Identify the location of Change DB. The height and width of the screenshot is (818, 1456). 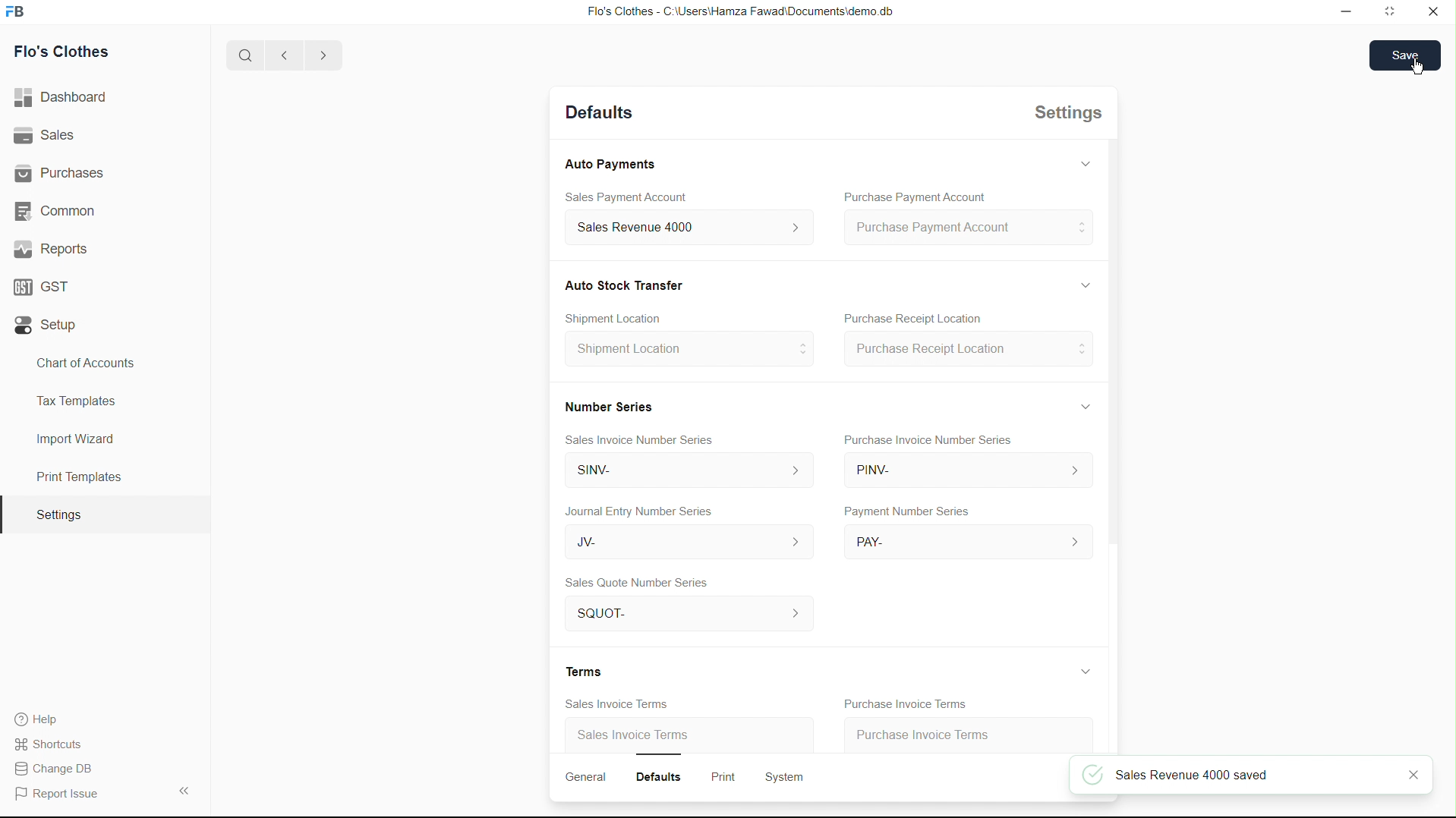
(58, 769).